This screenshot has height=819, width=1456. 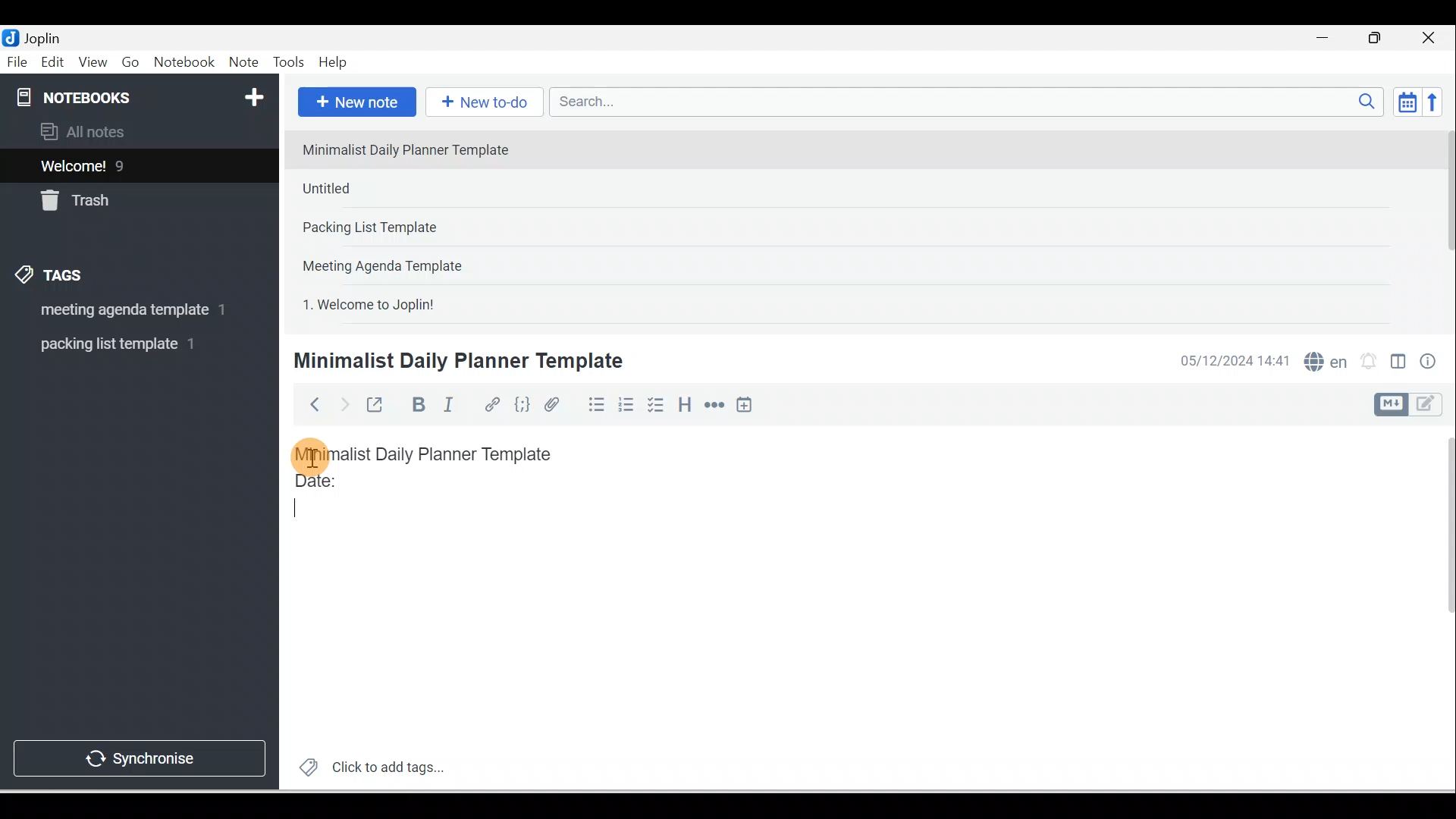 What do you see at coordinates (1398, 364) in the screenshot?
I see `Toggle editors` at bounding box center [1398, 364].